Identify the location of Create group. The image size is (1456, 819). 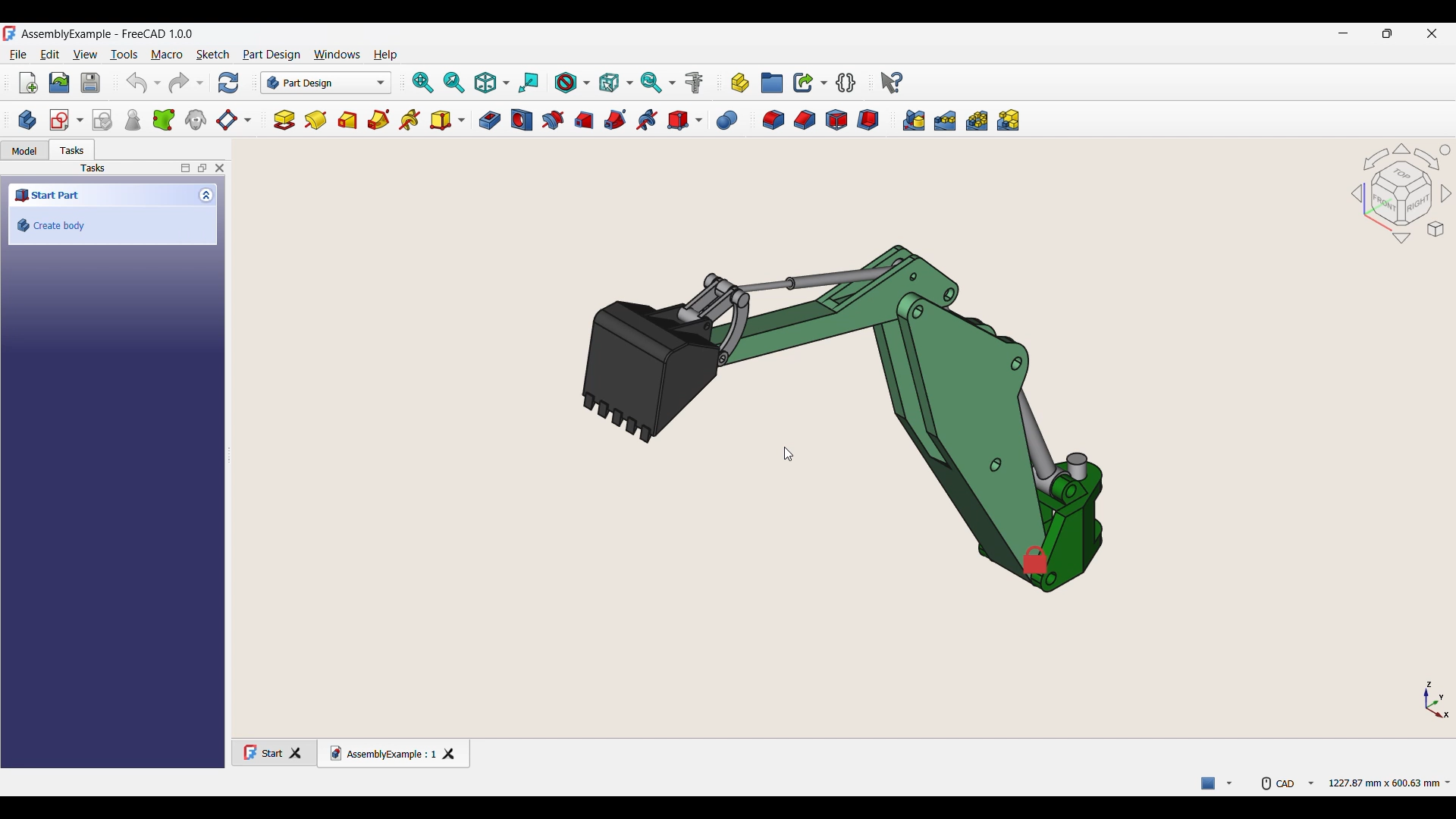
(773, 83).